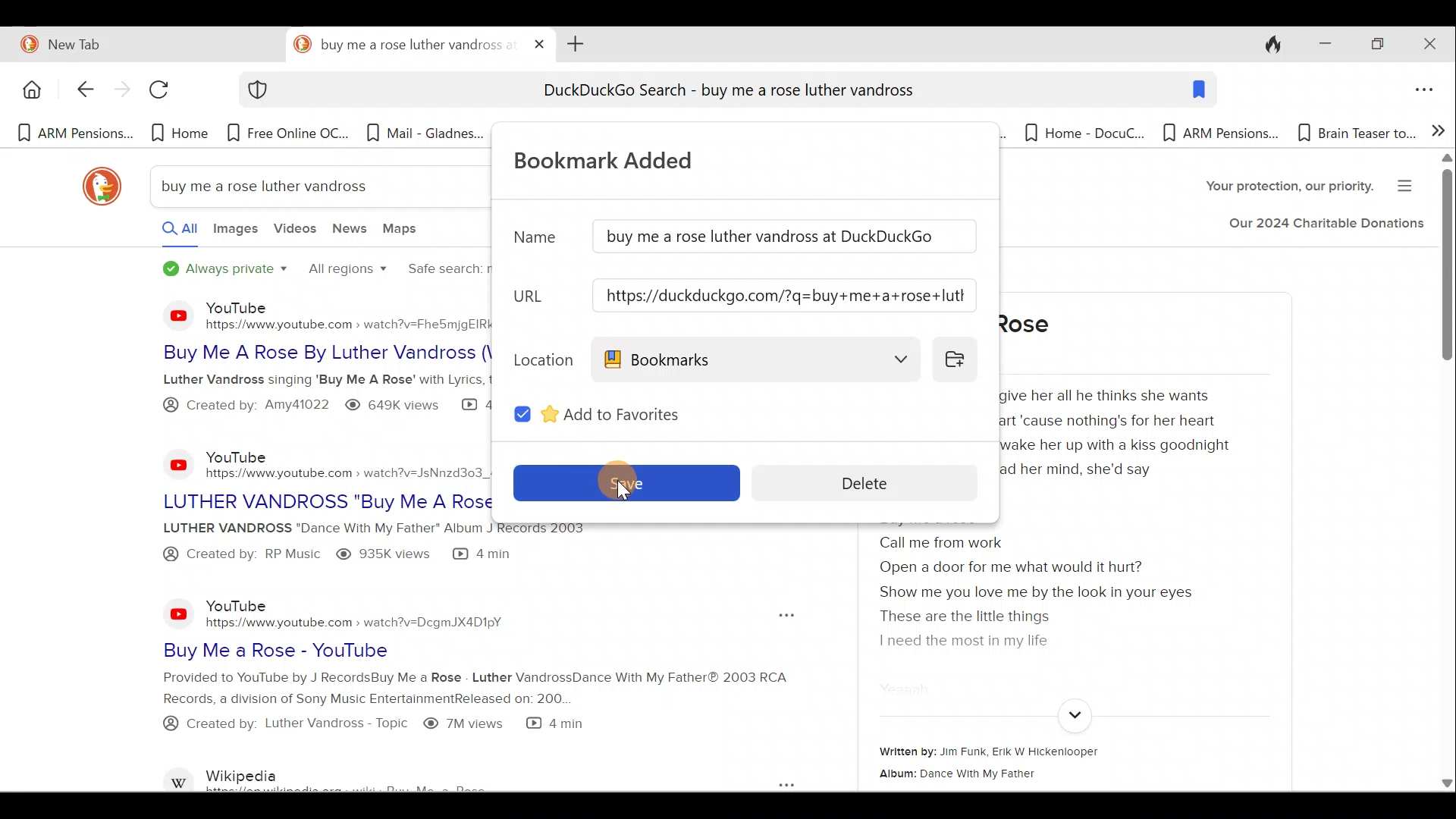 The height and width of the screenshot is (819, 1456). What do you see at coordinates (166, 95) in the screenshot?
I see `Reload` at bounding box center [166, 95].